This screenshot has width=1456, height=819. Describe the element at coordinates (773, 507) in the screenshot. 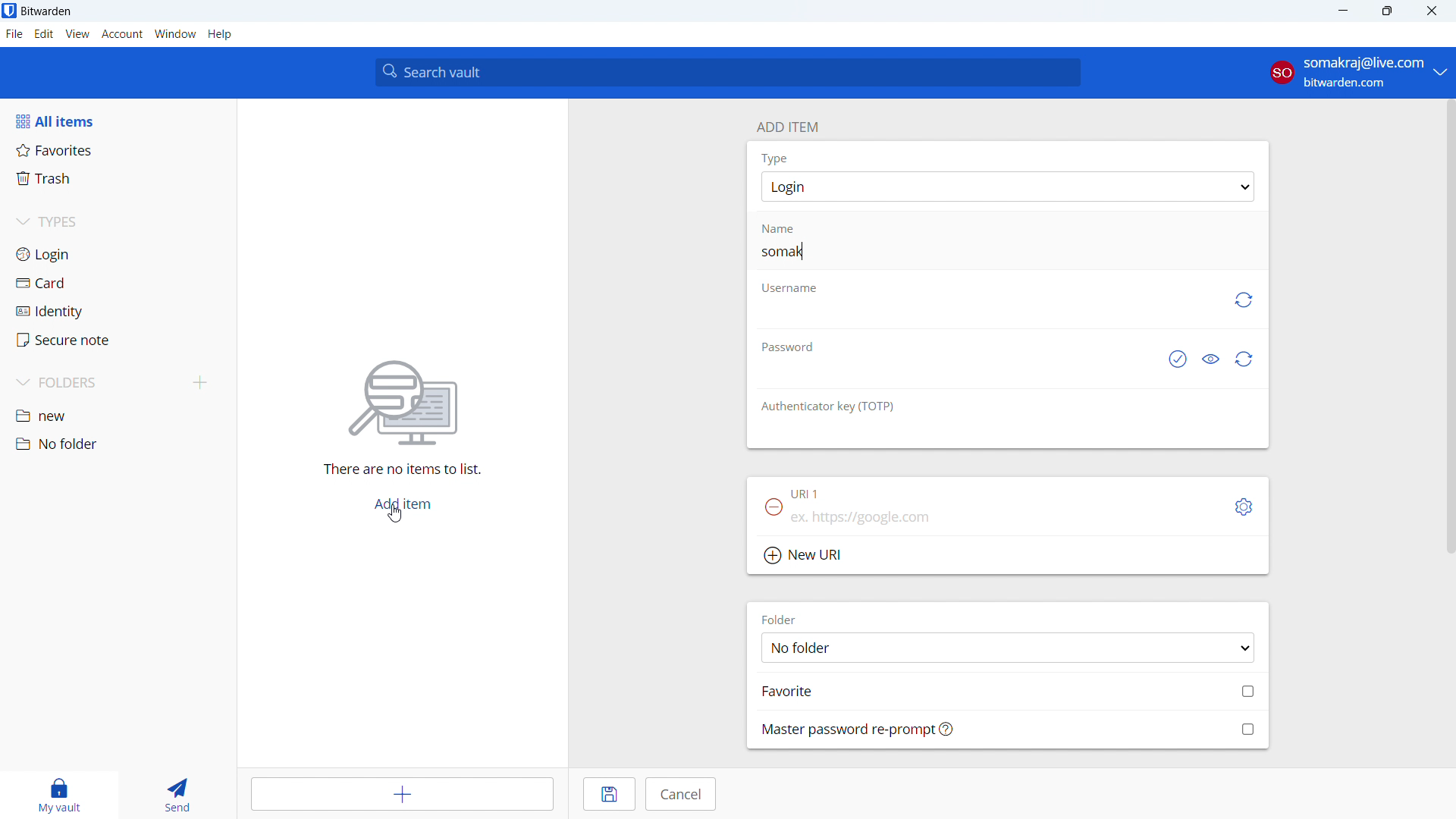

I see `remove URl` at that location.